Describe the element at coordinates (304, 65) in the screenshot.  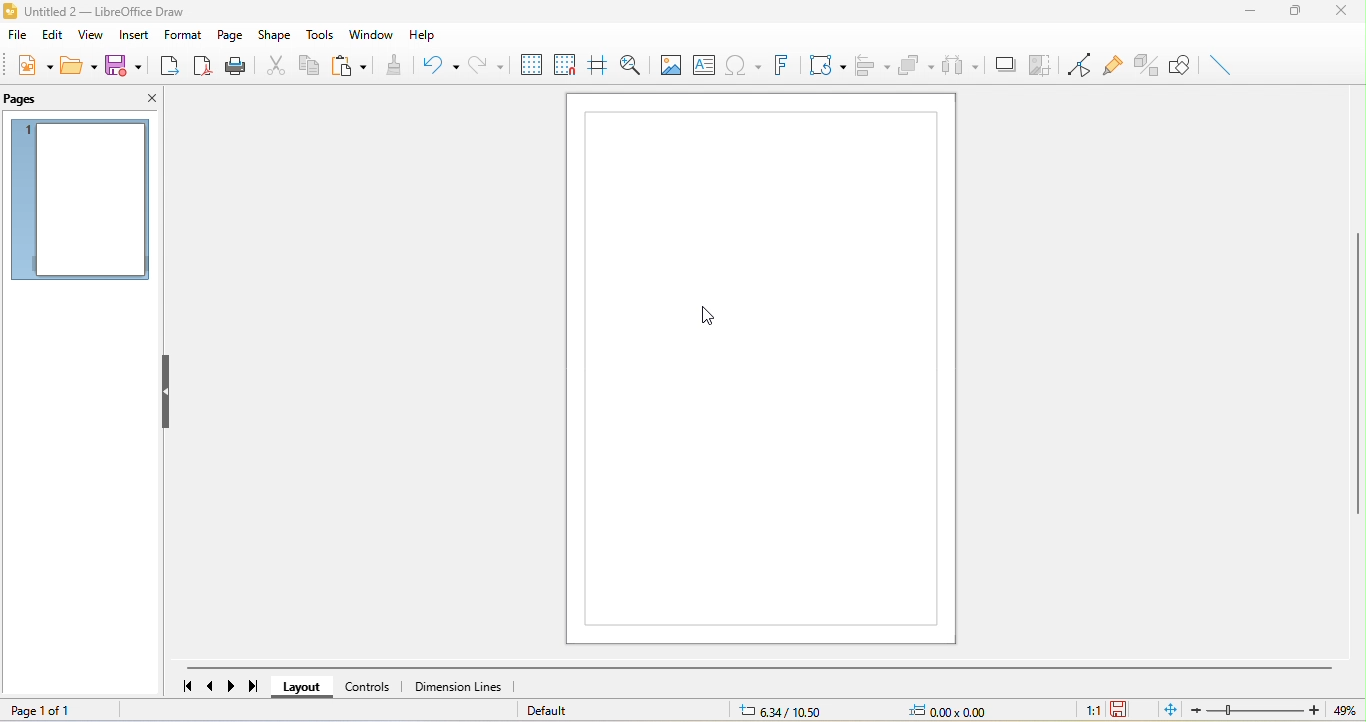
I see `copy` at that location.